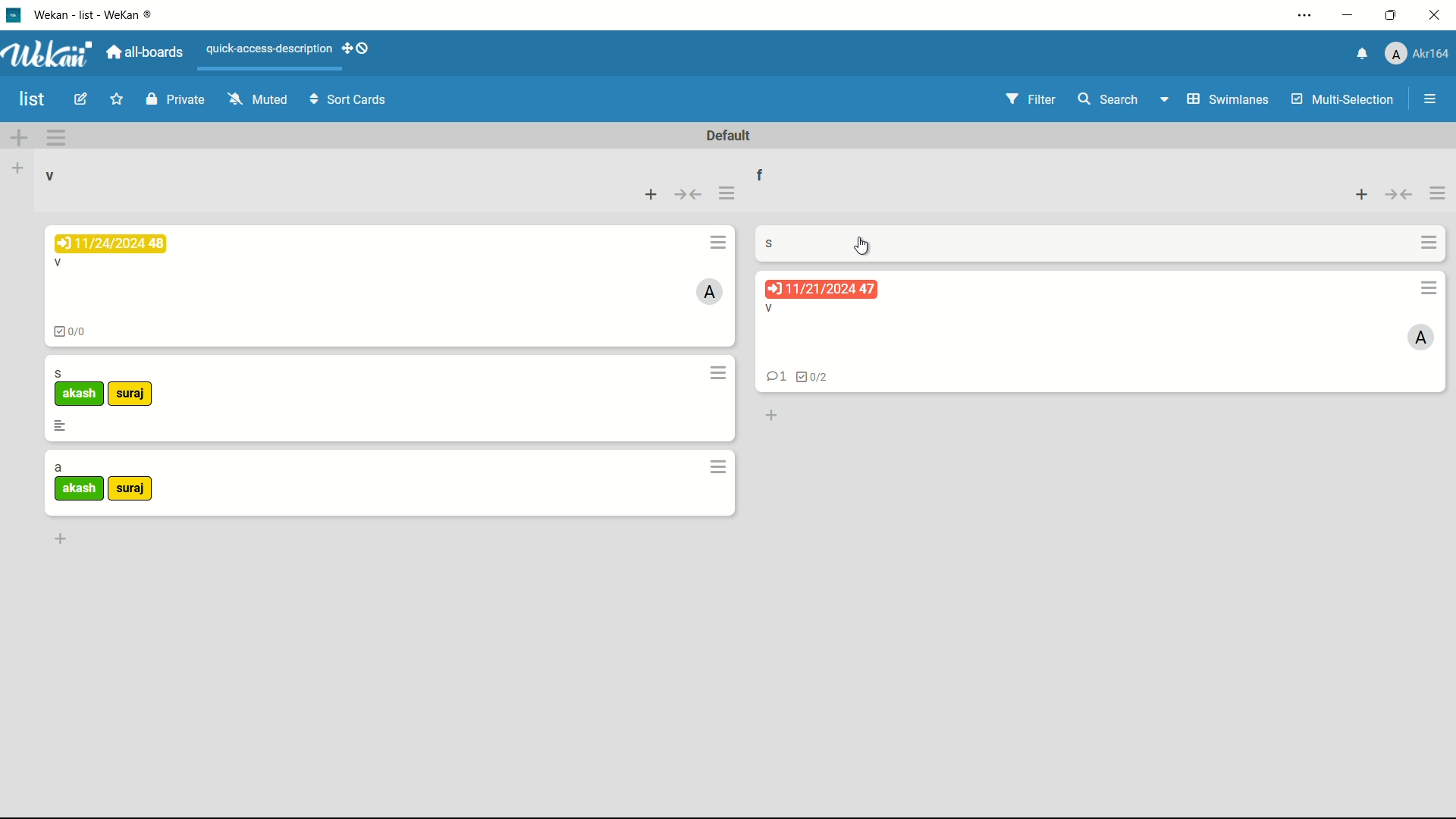 The height and width of the screenshot is (819, 1456). What do you see at coordinates (60, 425) in the screenshot?
I see `description` at bounding box center [60, 425].